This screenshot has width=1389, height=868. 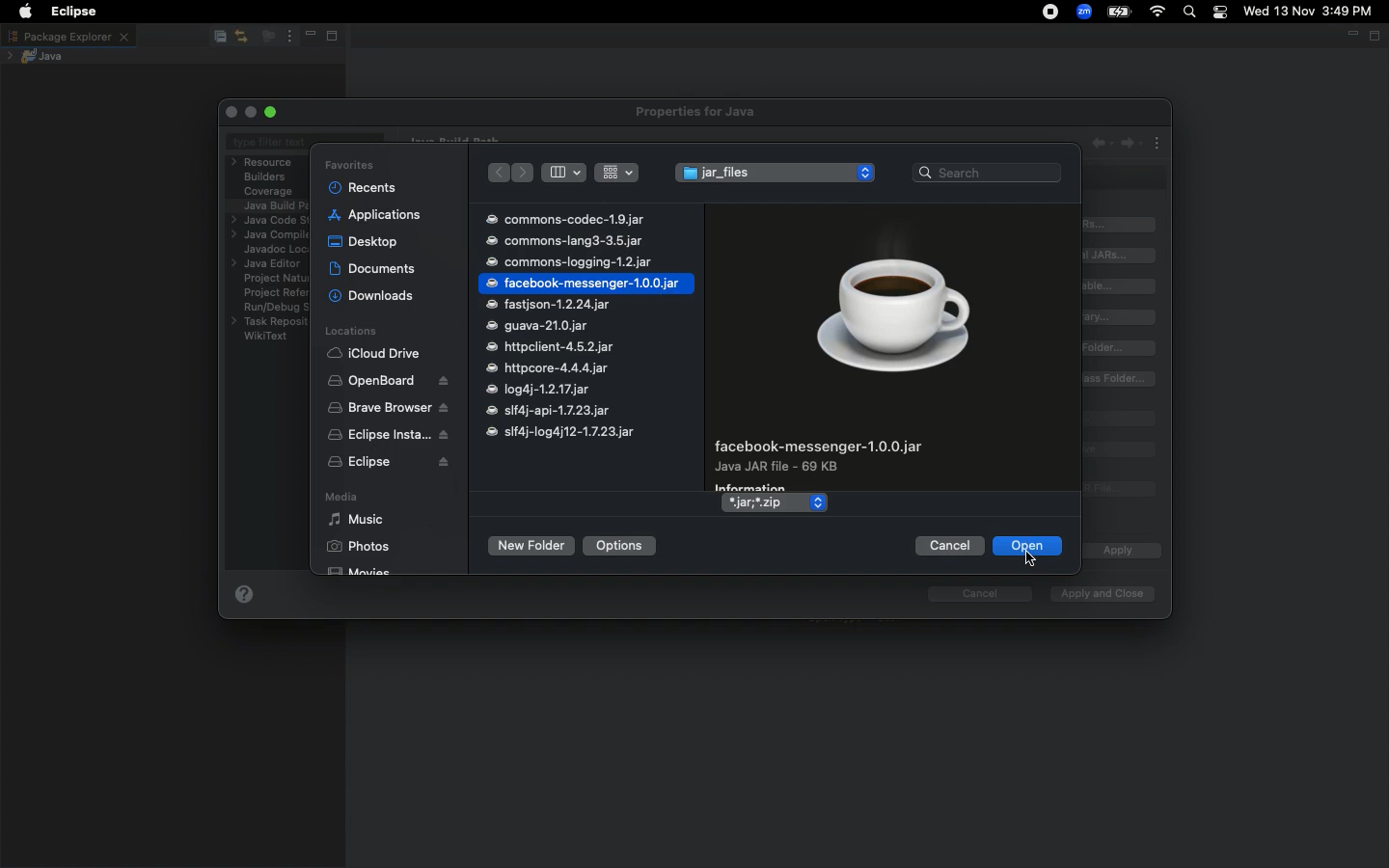 What do you see at coordinates (267, 221) in the screenshot?
I see `Java code style` at bounding box center [267, 221].